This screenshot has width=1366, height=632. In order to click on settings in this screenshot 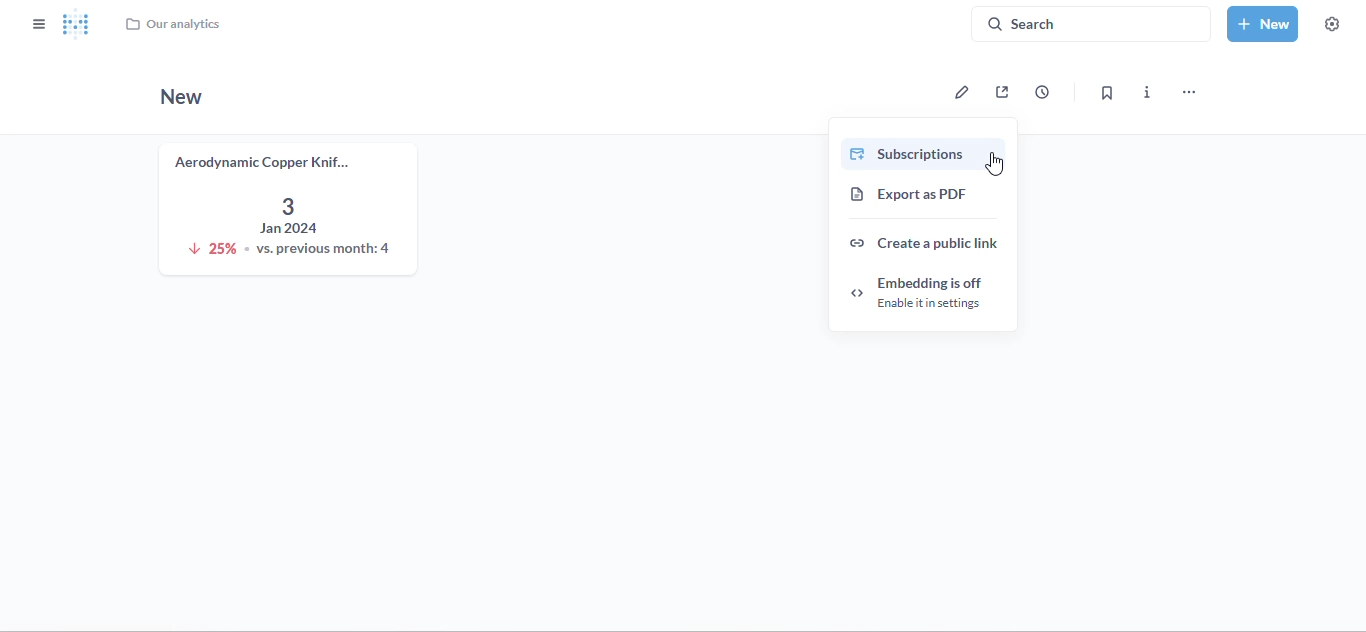, I will do `click(1332, 24)`.